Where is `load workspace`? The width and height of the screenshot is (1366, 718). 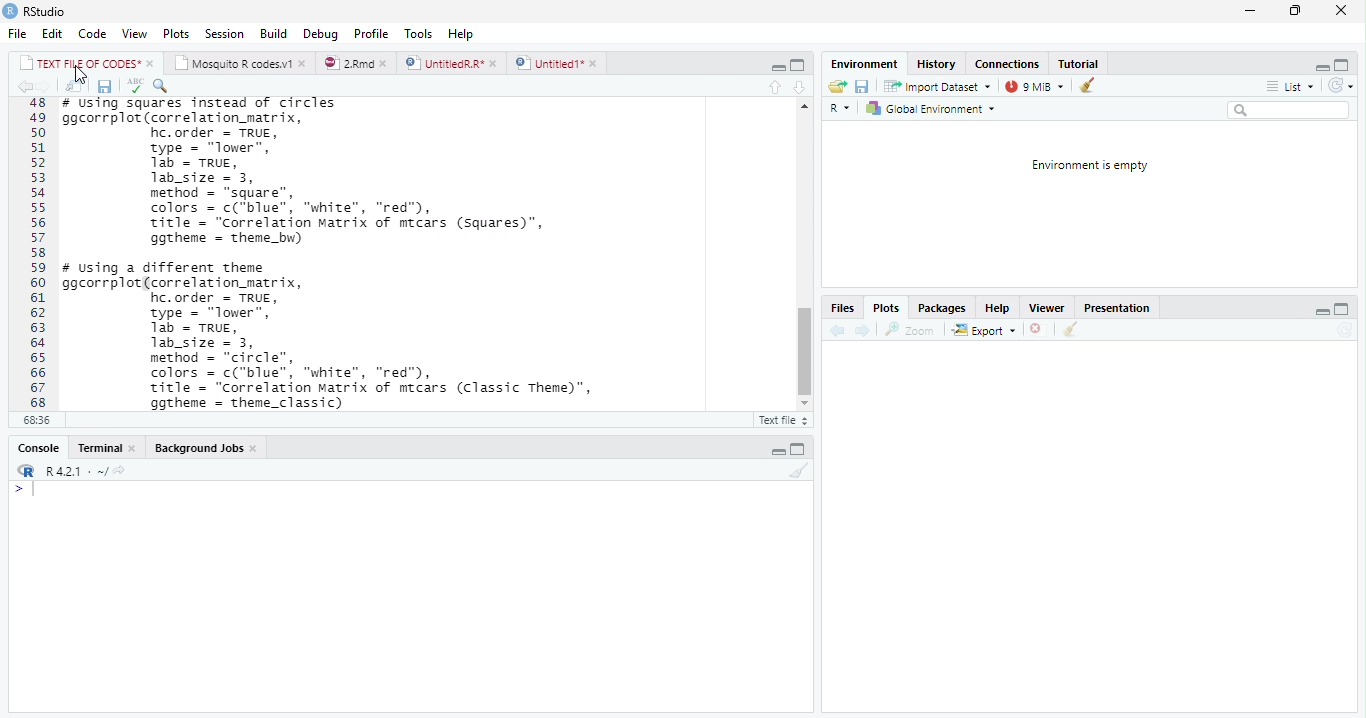 load workspace is located at coordinates (836, 86).